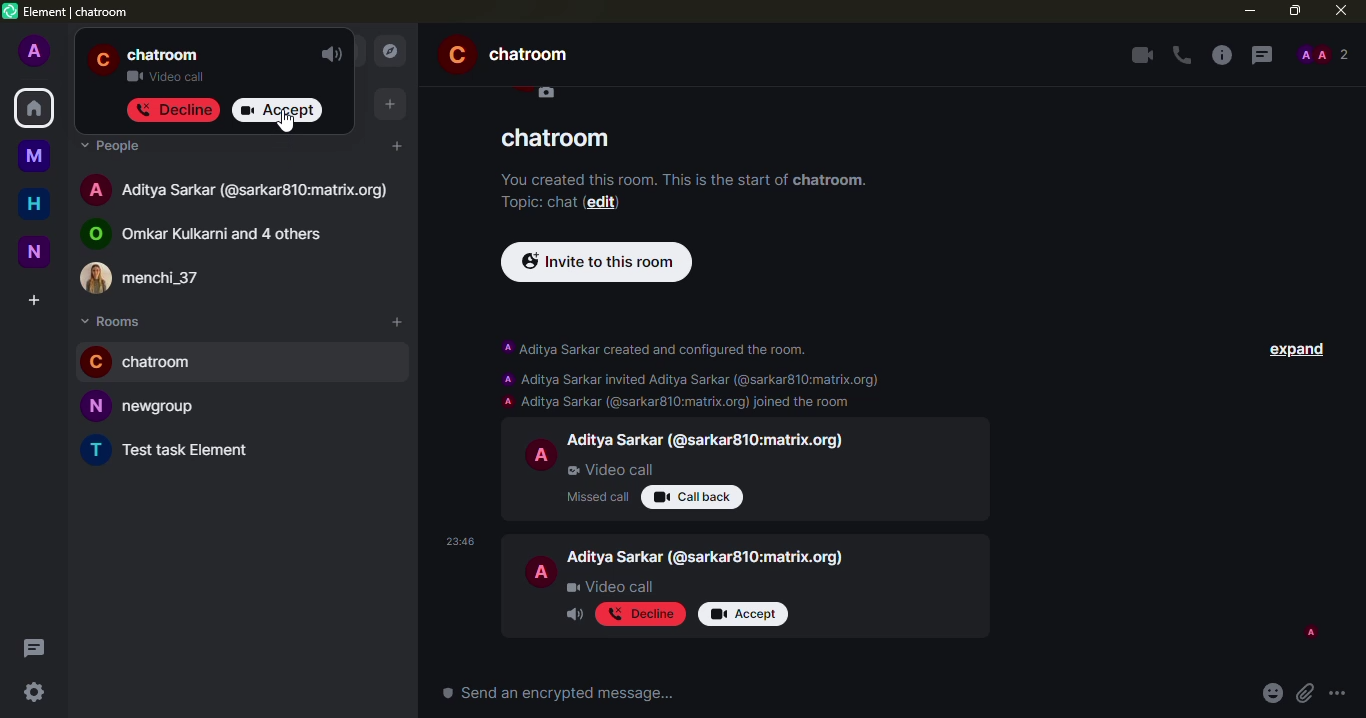 The width and height of the screenshot is (1366, 718). I want to click on threads, so click(1262, 56).